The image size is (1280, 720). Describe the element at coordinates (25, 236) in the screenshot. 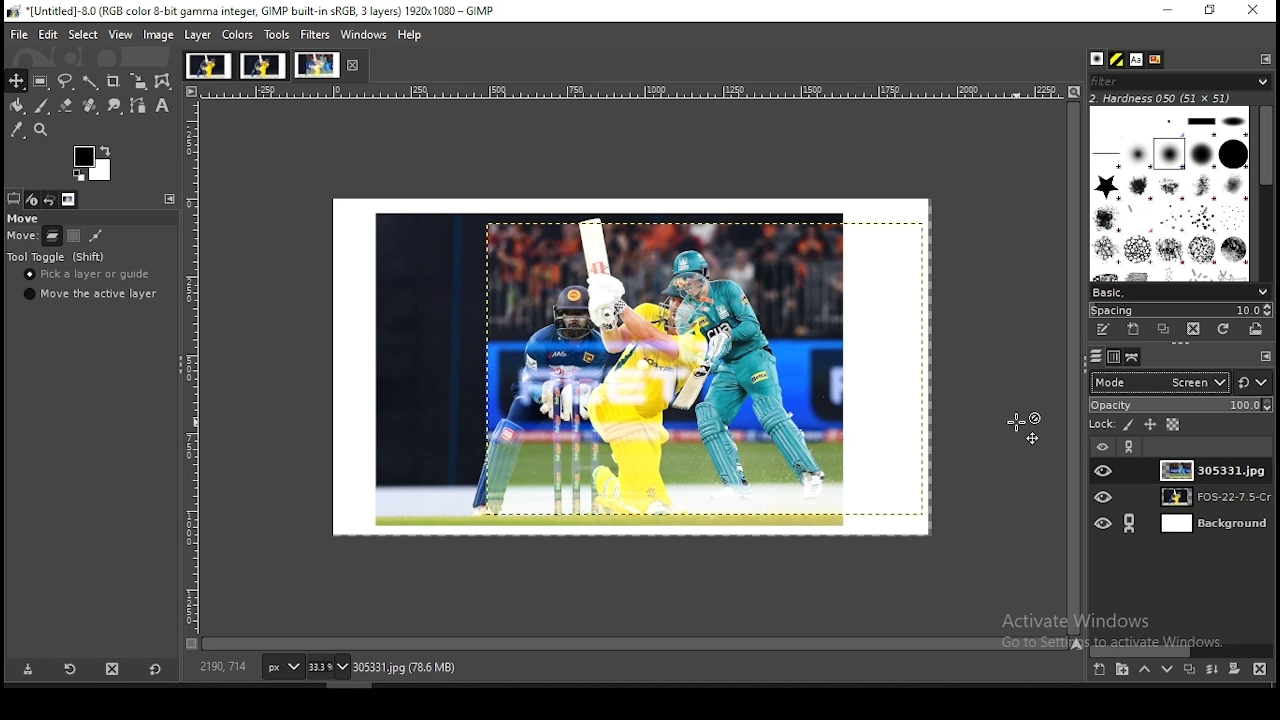

I see `move` at that location.